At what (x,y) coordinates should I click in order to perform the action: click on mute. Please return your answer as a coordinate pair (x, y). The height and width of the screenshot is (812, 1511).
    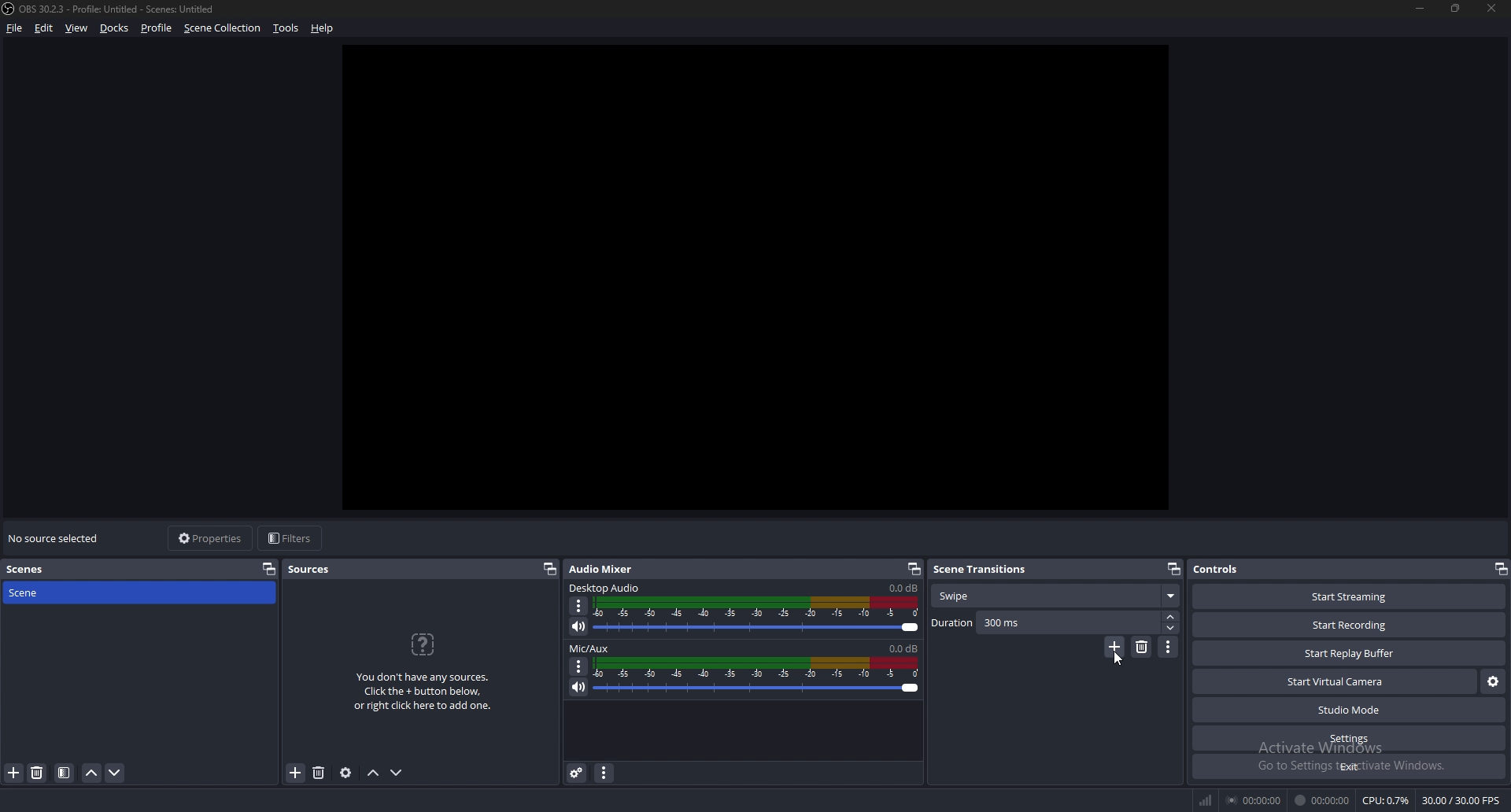
    Looking at the image, I should click on (580, 628).